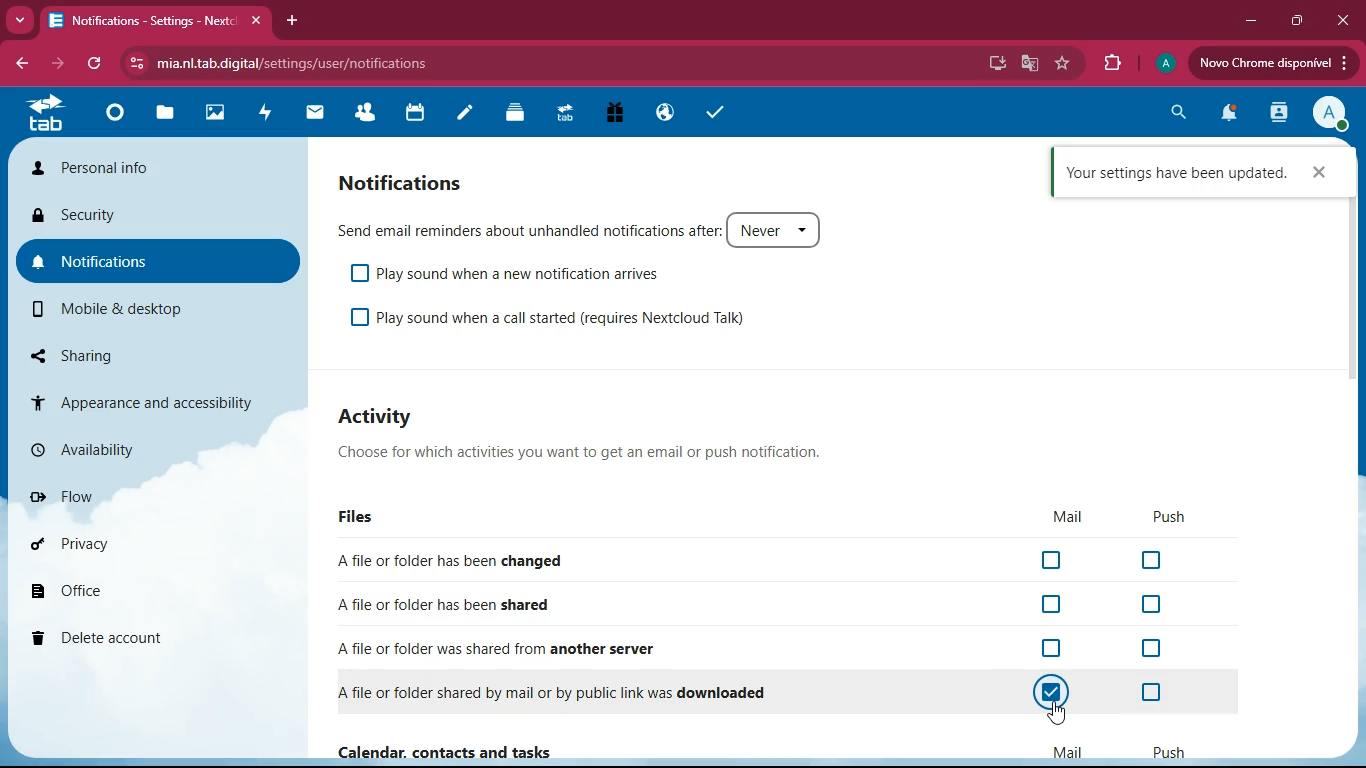 The width and height of the screenshot is (1366, 768). What do you see at coordinates (140, 355) in the screenshot?
I see `sharing` at bounding box center [140, 355].